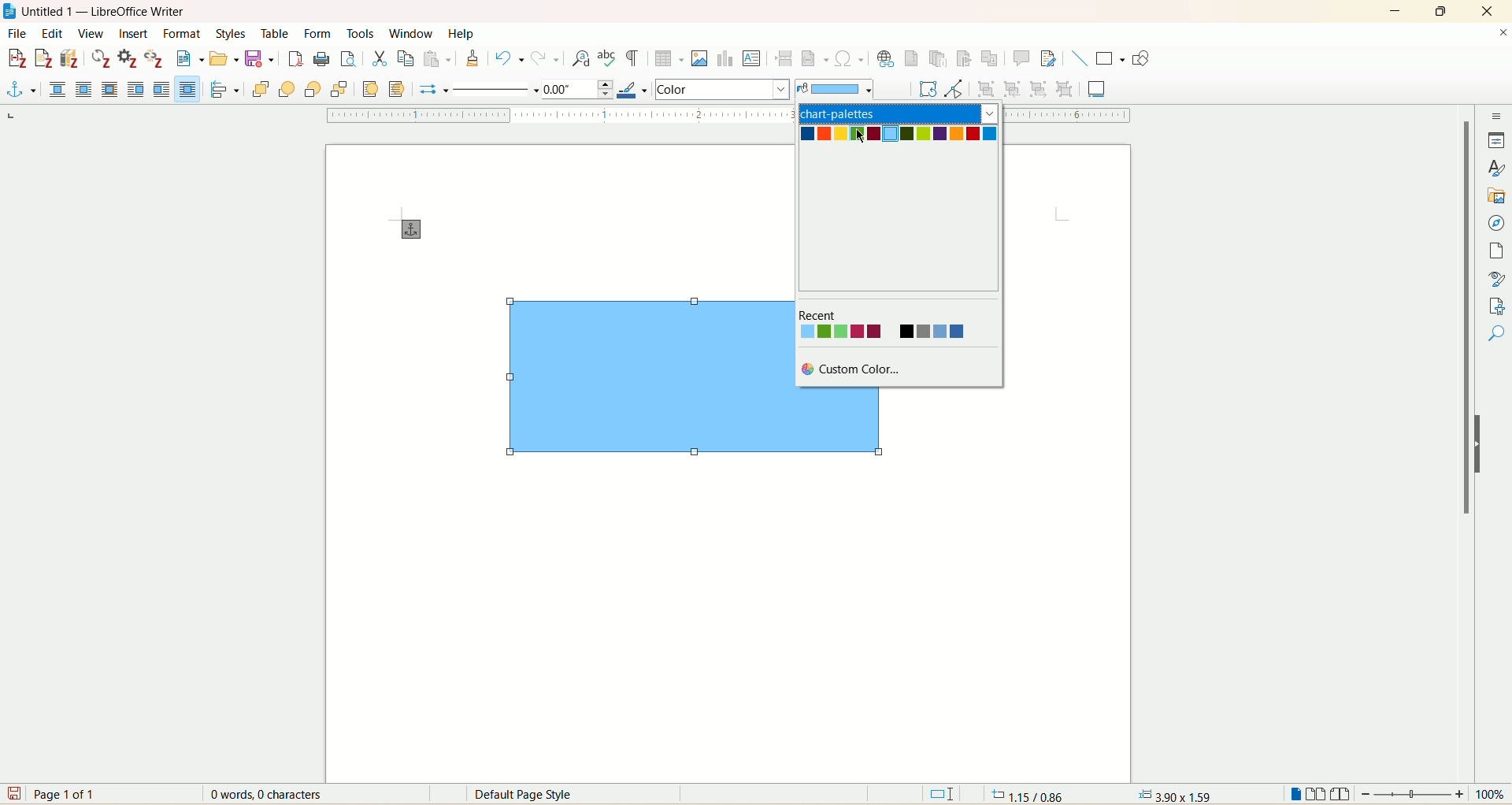  Describe the element at coordinates (162, 89) in the screenshot. I see `after` at that location.